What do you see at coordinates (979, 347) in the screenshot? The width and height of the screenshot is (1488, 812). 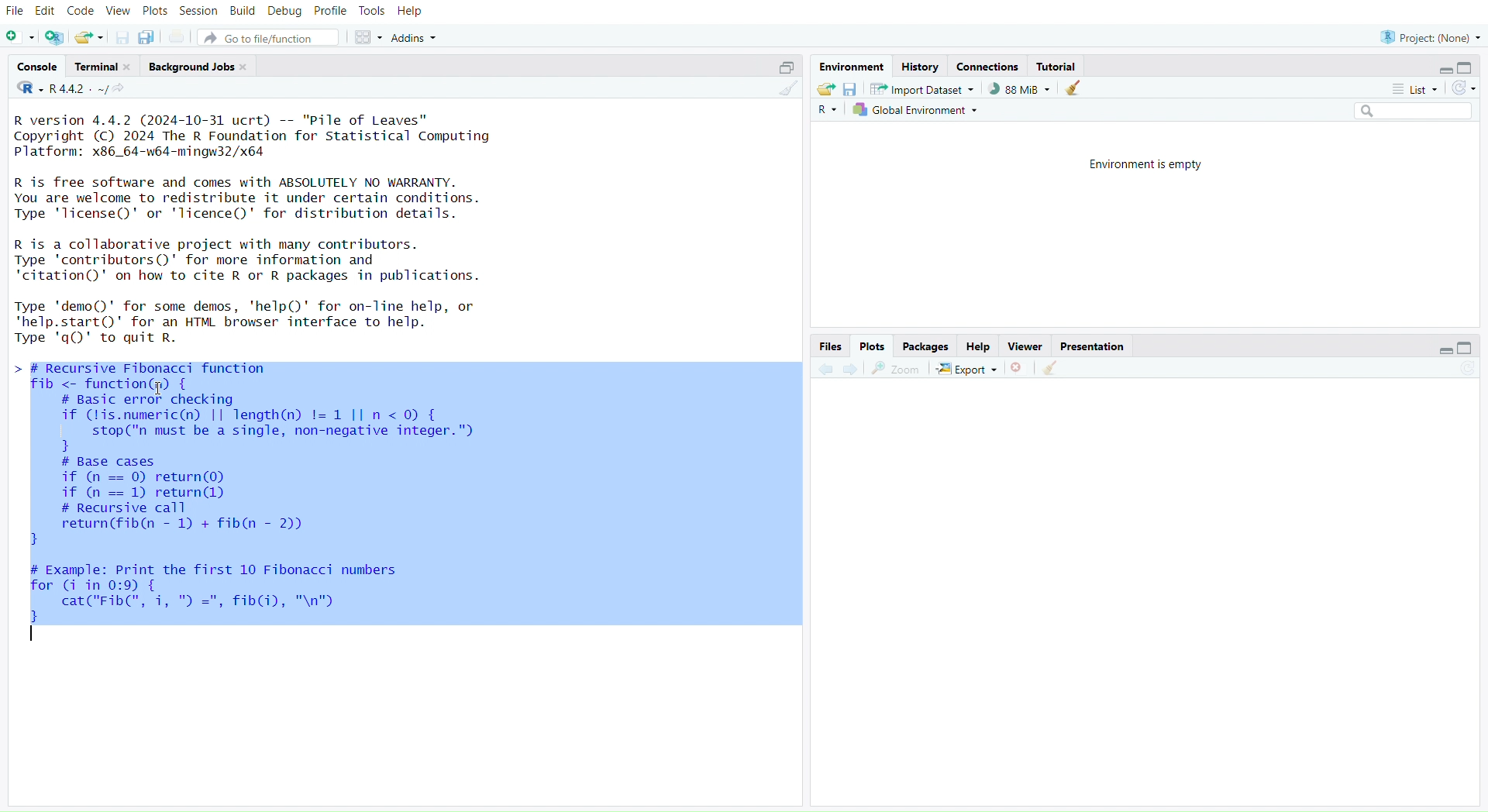 I see `help` at bounding box center [979, 347].